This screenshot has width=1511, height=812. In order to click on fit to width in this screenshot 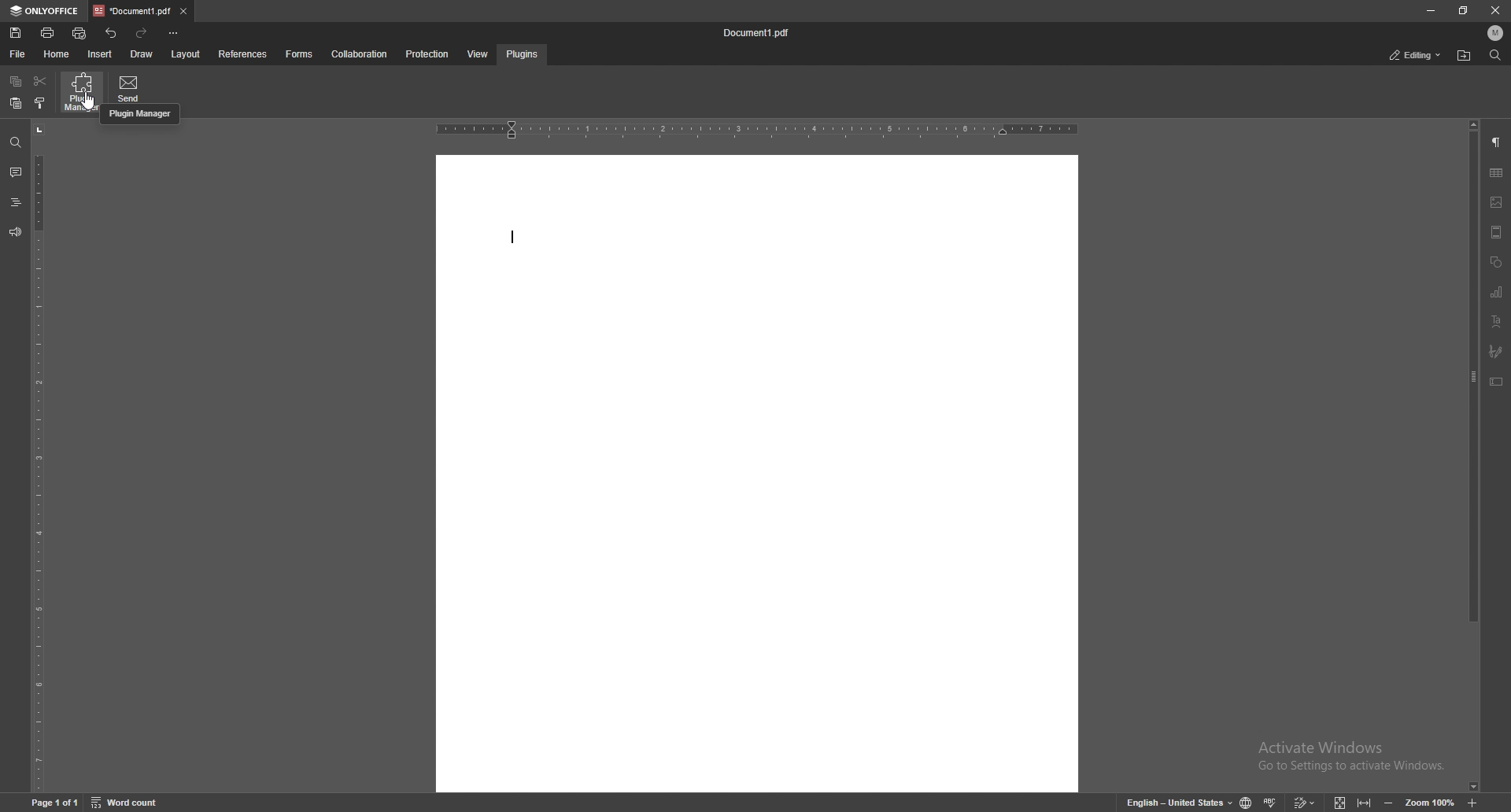, I will do `click(1365, 801)`.